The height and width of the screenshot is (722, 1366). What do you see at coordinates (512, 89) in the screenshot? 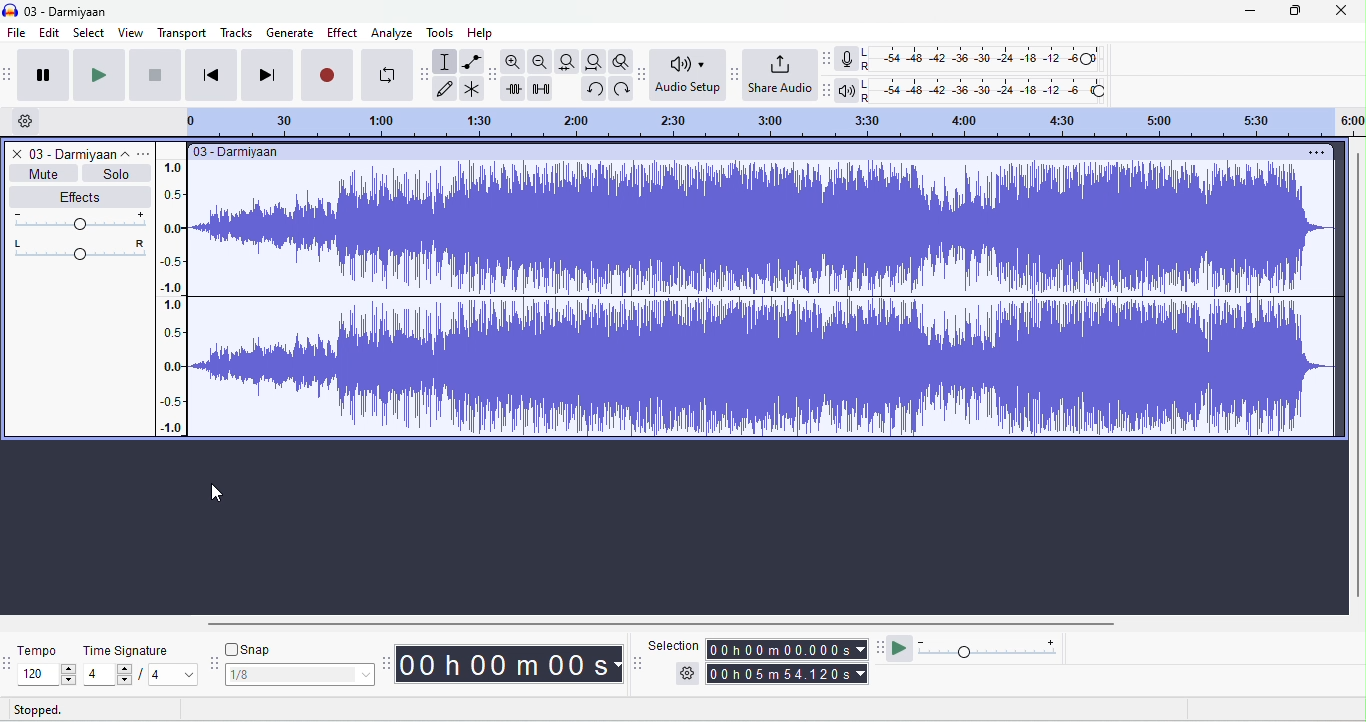
I see `trim outside selection` at bounding box center [512, 89].